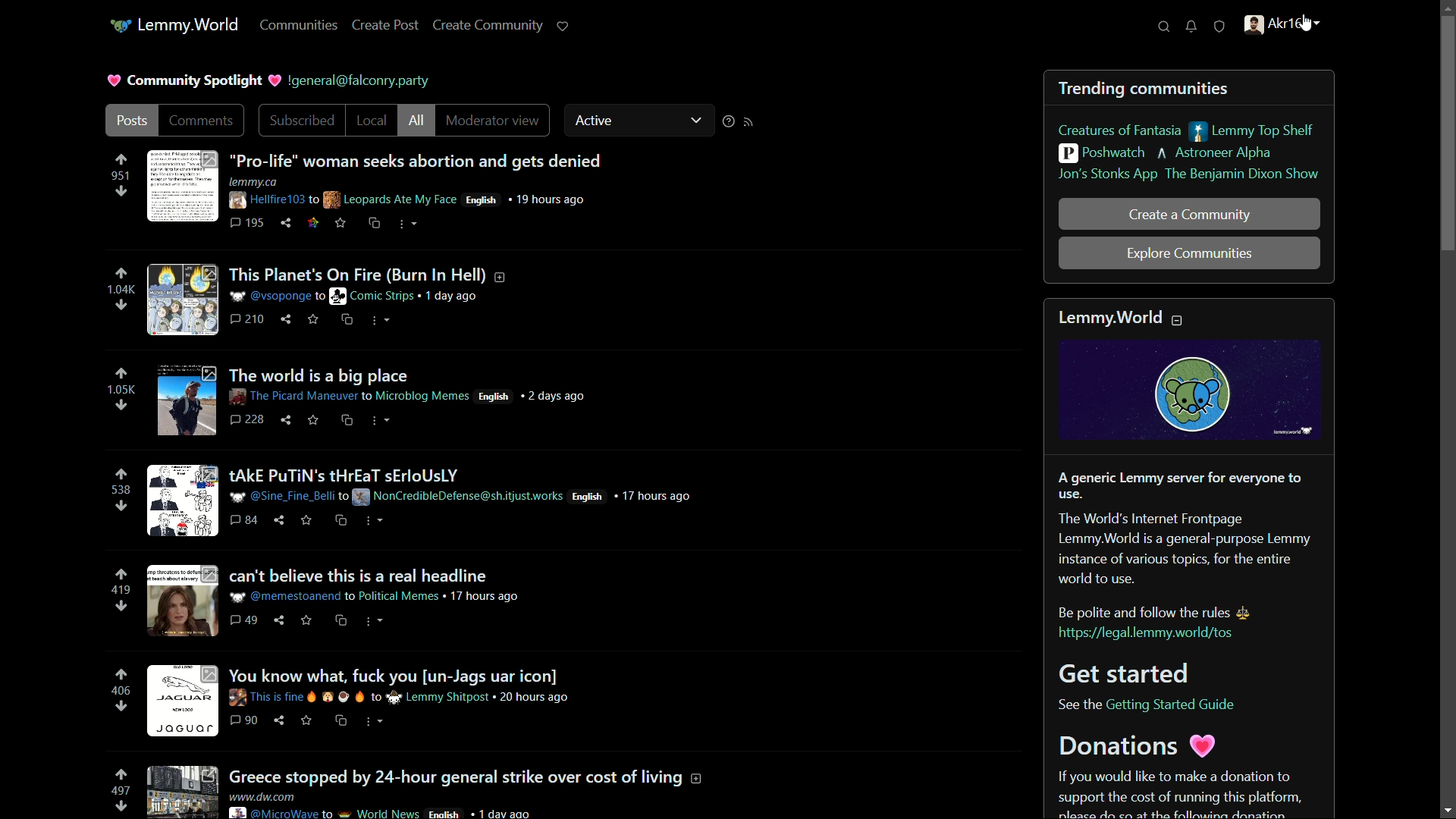 The height and width of the screenshot is (819, 1456). I want to click on active, so click(640, 119).